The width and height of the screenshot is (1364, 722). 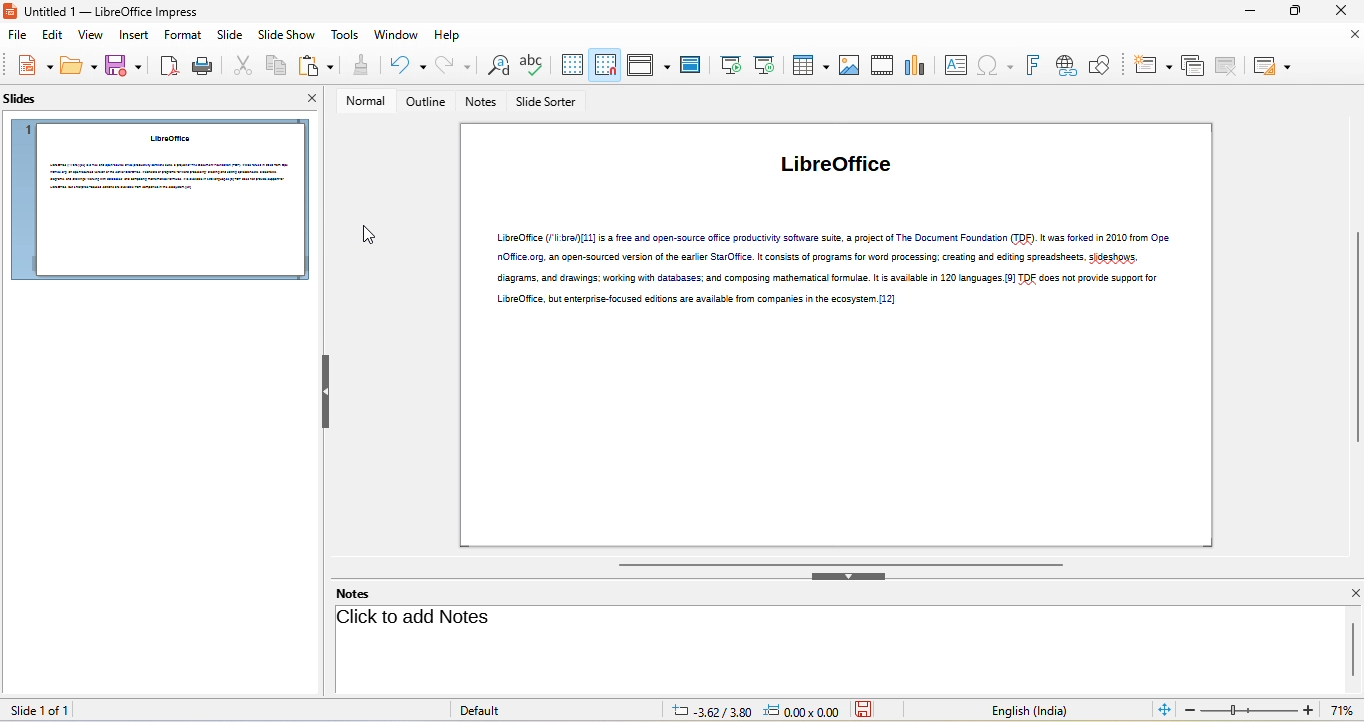 I want to click on start from first slide, so click(x=729, y=67).